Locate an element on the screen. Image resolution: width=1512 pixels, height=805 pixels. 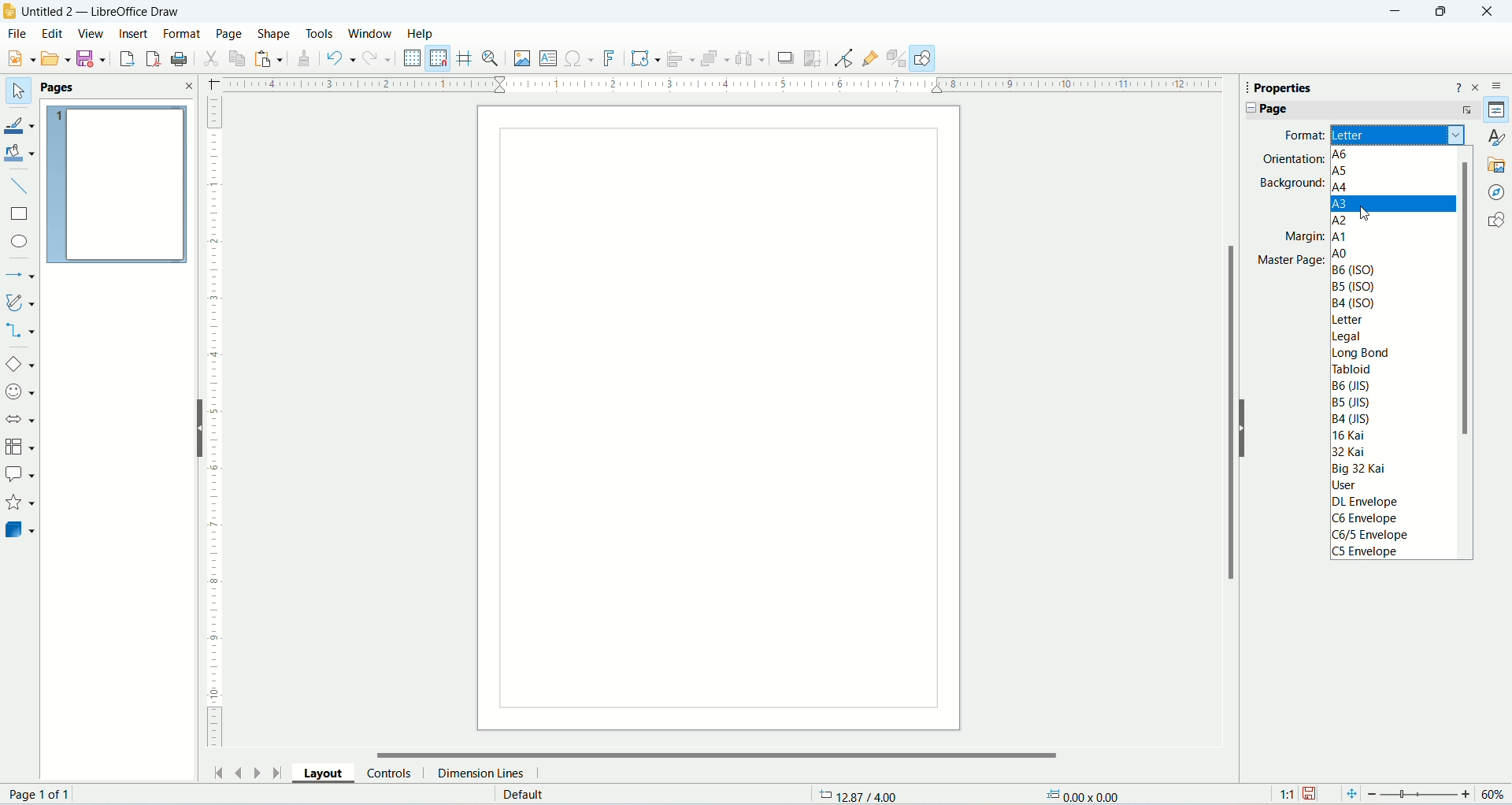
insert special character is located at coordinates (577, 59).